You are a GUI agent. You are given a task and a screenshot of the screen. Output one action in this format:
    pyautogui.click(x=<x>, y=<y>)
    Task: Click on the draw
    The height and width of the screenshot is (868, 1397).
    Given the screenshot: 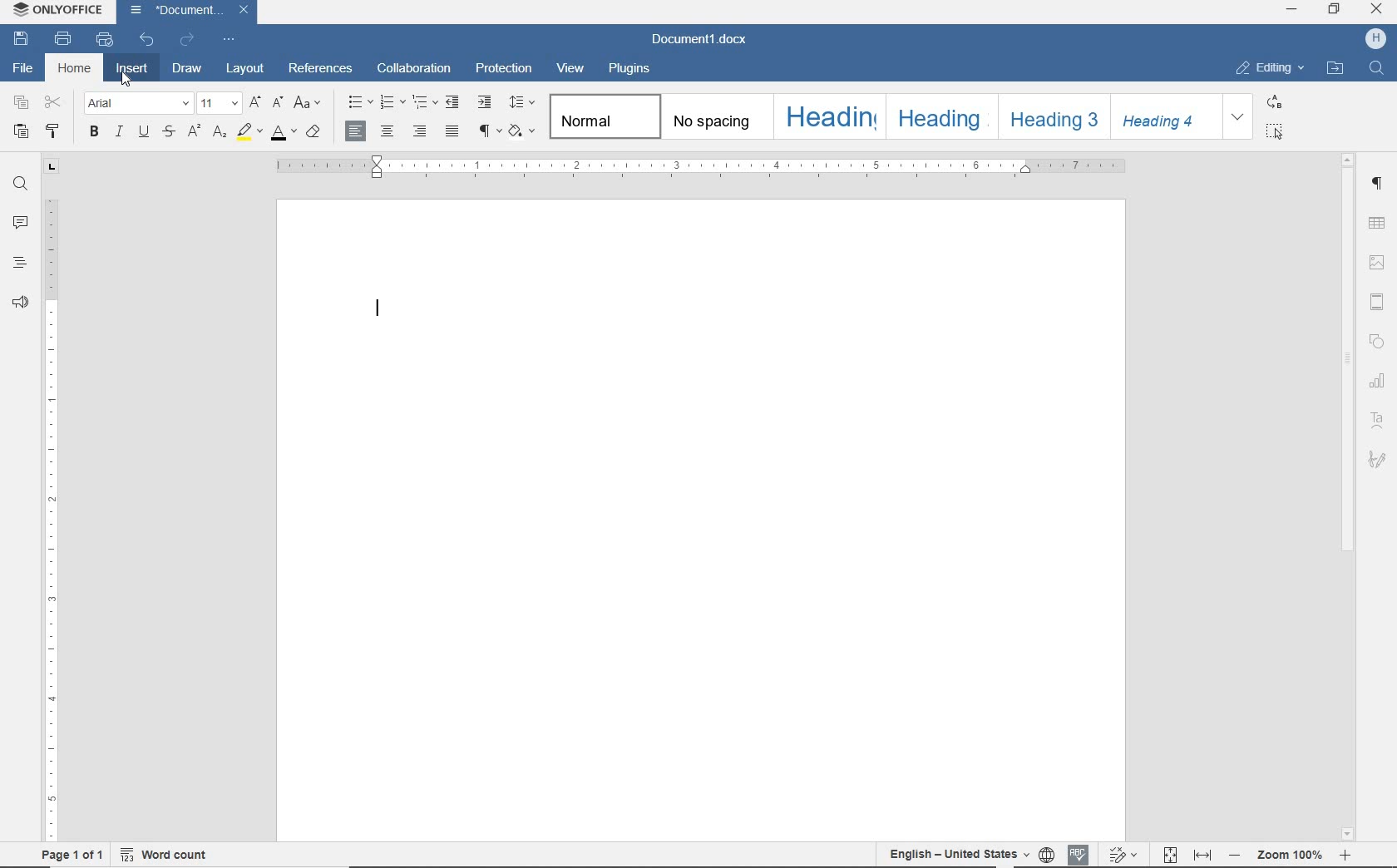 What is the action you would take?
    pyautogui.click(x=188, y=69)
    